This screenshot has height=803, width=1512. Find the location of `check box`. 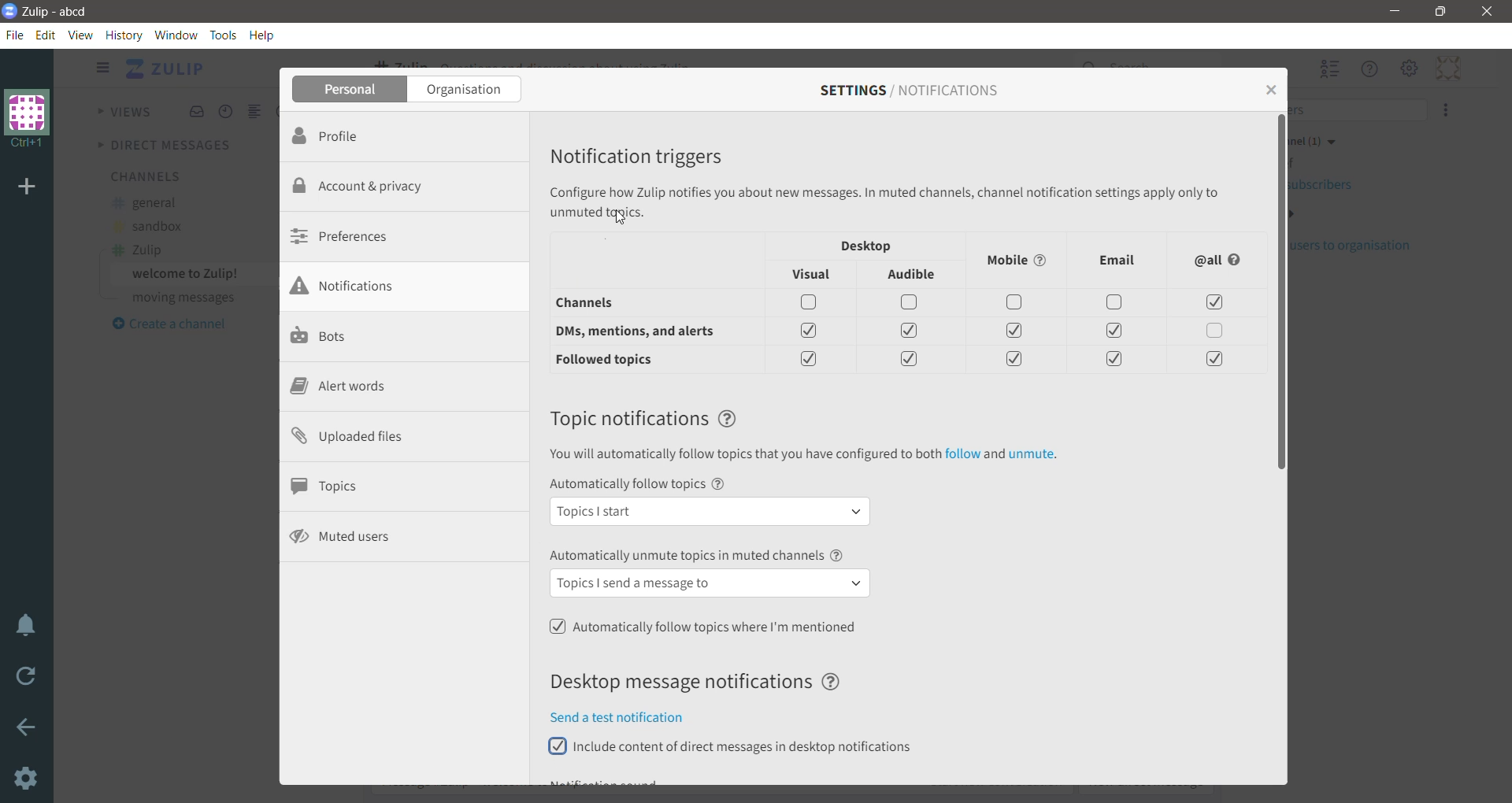

check box is located at coordinates (1016, 333).